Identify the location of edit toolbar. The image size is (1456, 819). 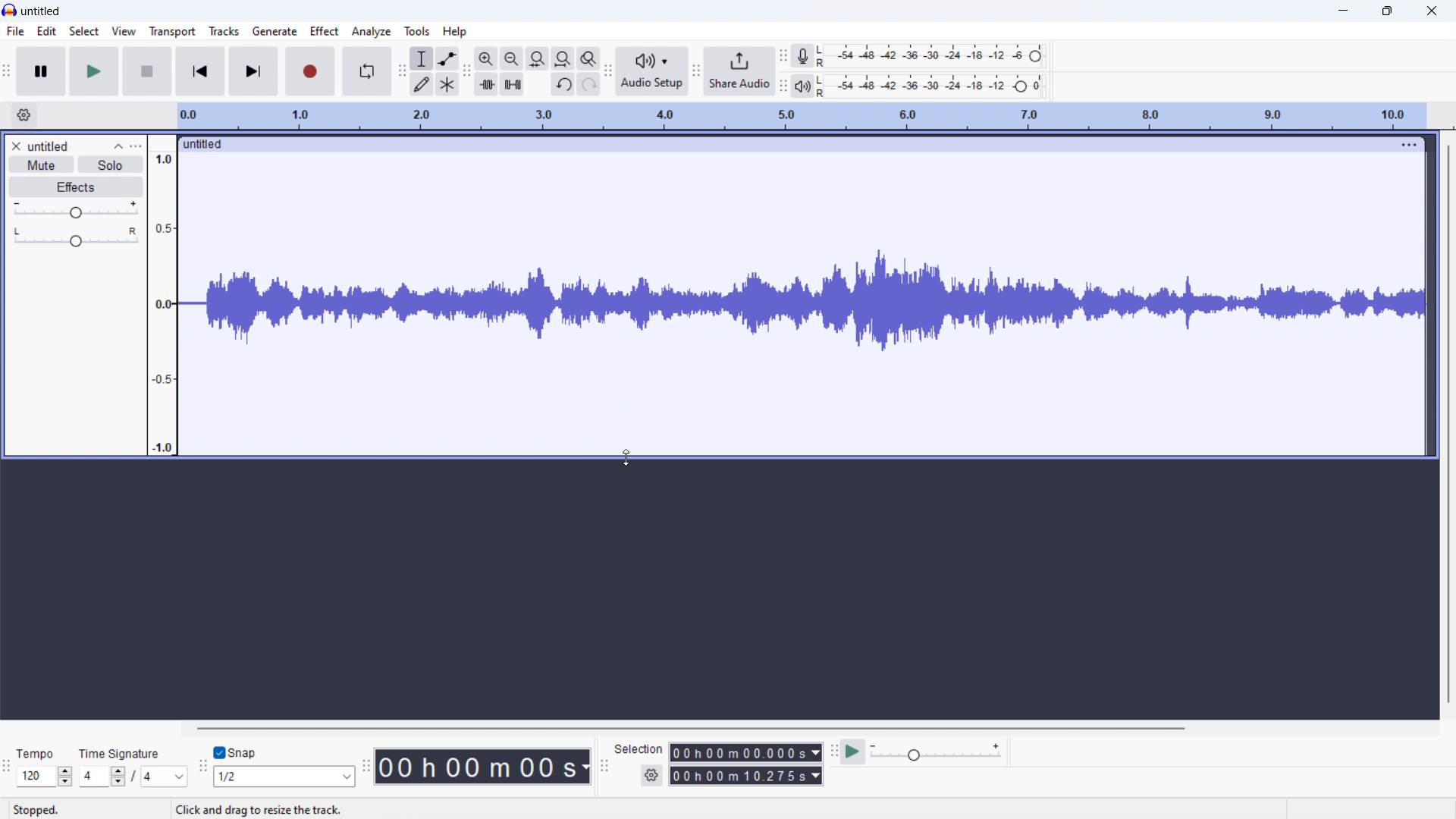
(467, 73).